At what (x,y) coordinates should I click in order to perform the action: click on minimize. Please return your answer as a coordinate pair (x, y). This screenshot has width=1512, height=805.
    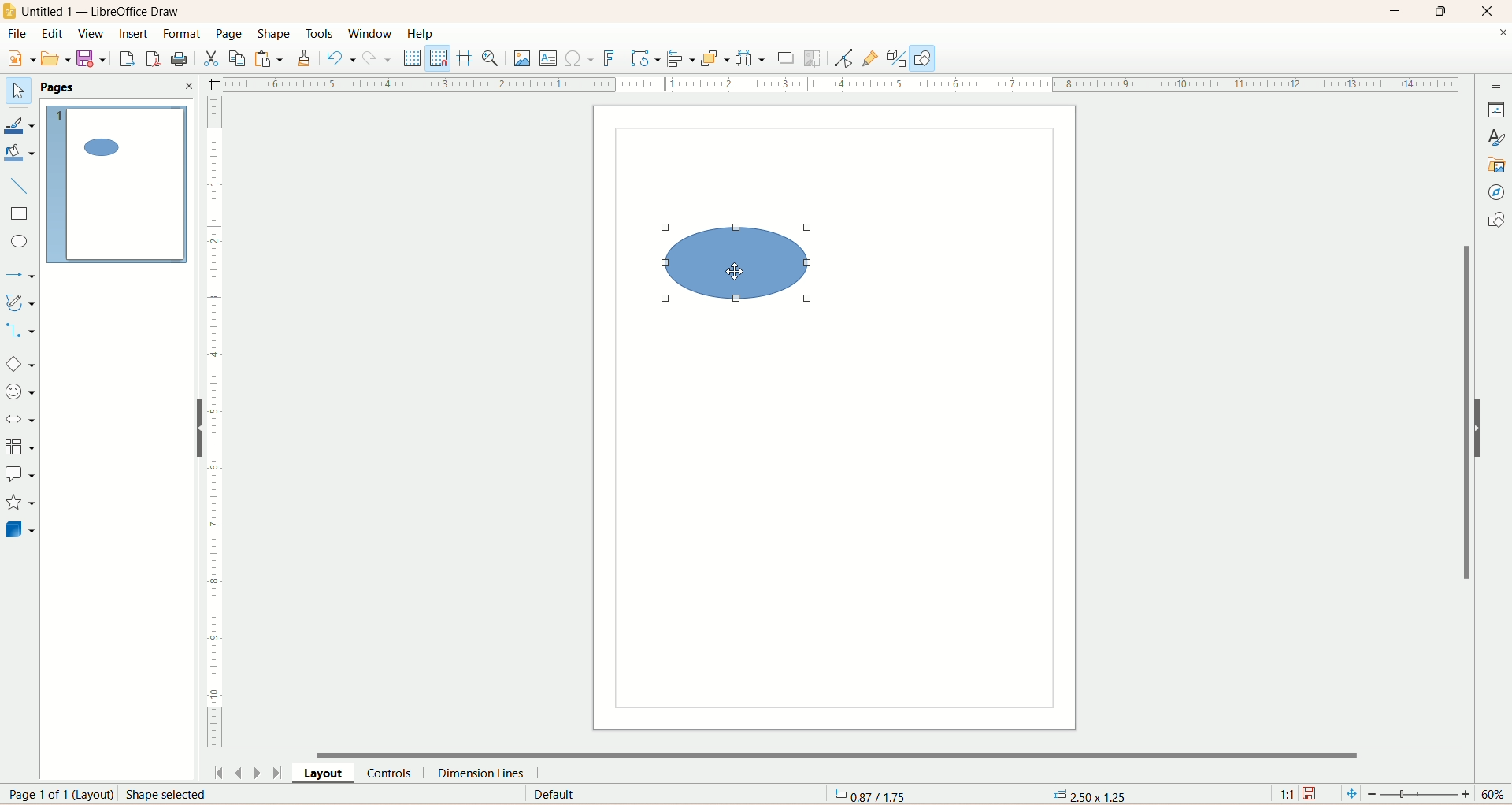
    Looking at the image, I should click on (1399, 9).